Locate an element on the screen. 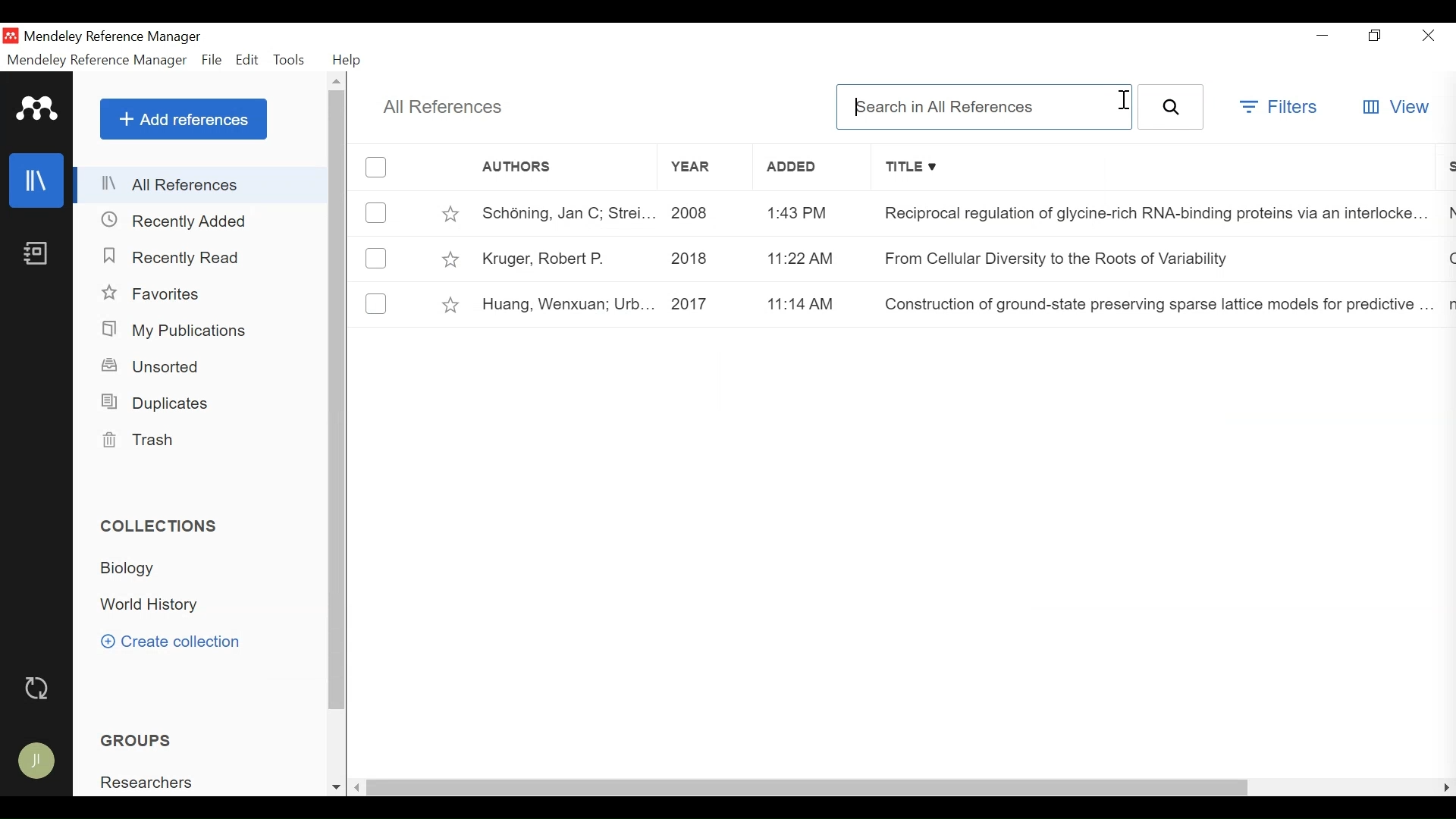 This screenshot has height=819, width=1456. Restore is located at coordinates (1375, 35).